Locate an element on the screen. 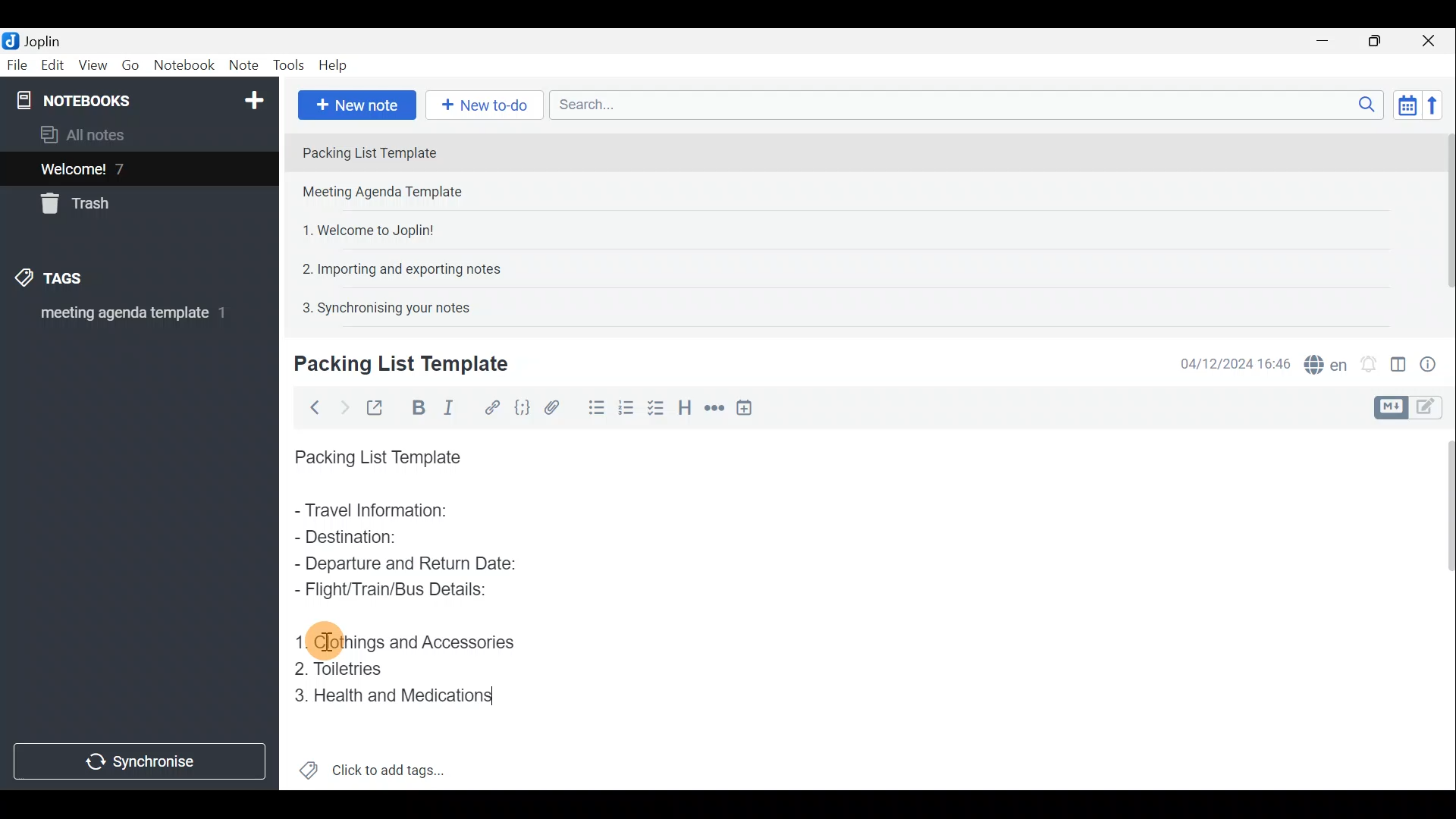 The image size is (1456, 819). Toggle editor layout is located at coordinates (1398, 359).